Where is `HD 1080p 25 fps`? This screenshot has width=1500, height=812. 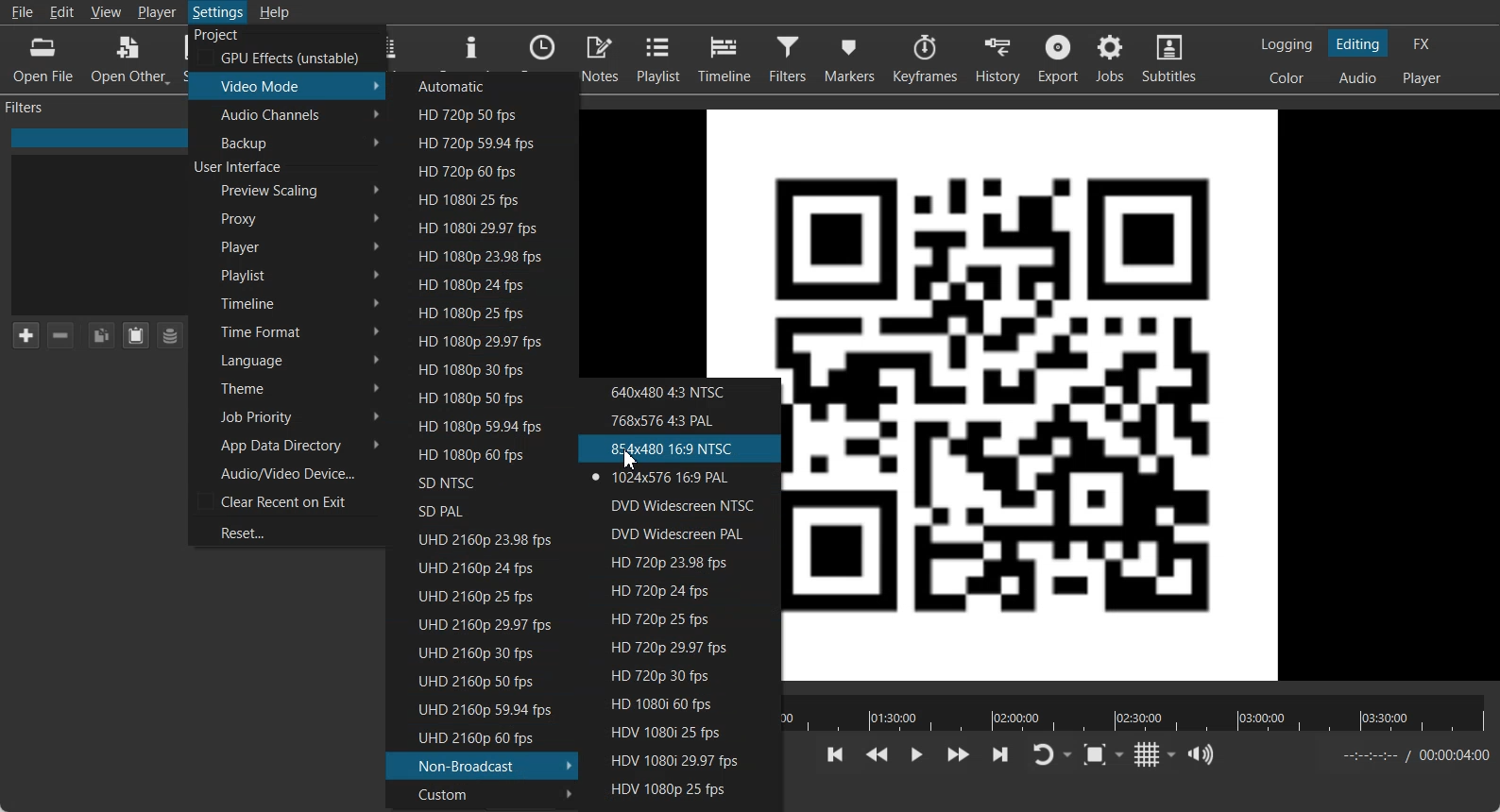
HD 1080p 25 fps is located at coordinates (477, 313).